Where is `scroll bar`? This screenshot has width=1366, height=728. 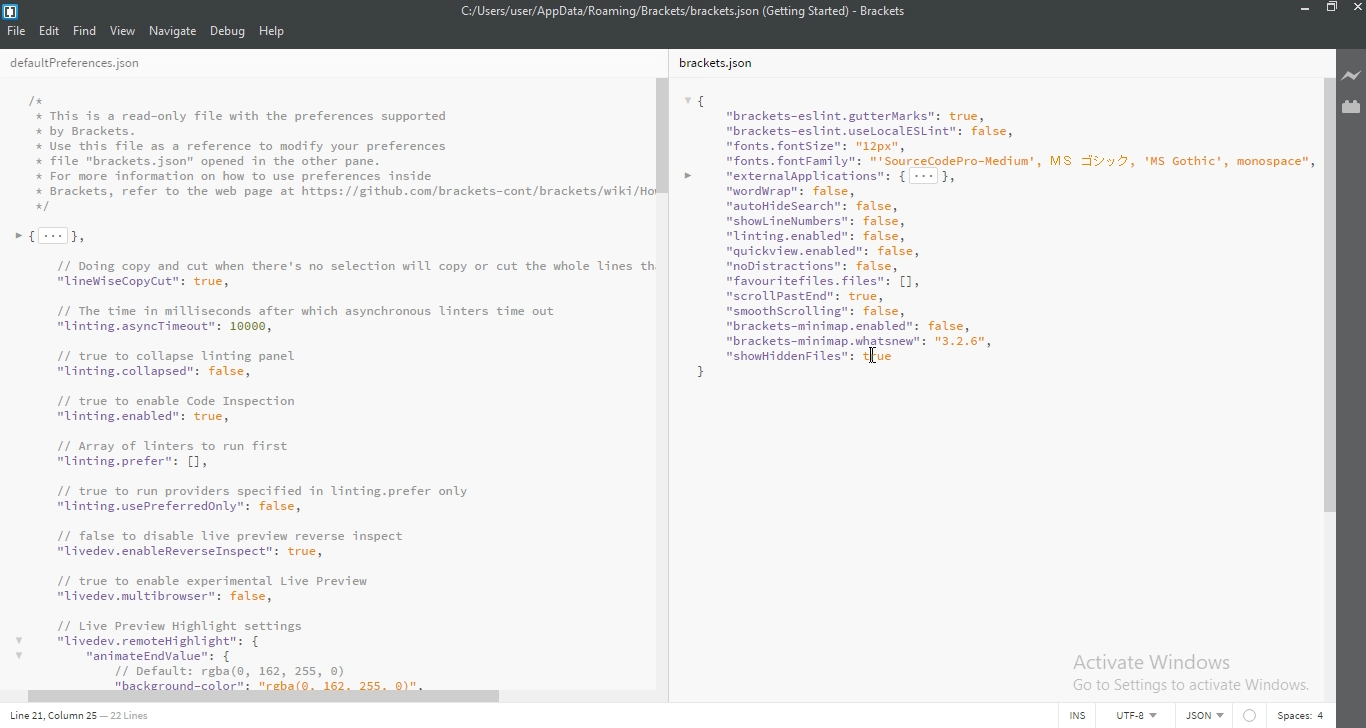 scroll bar is located at coordinates (660, 134).